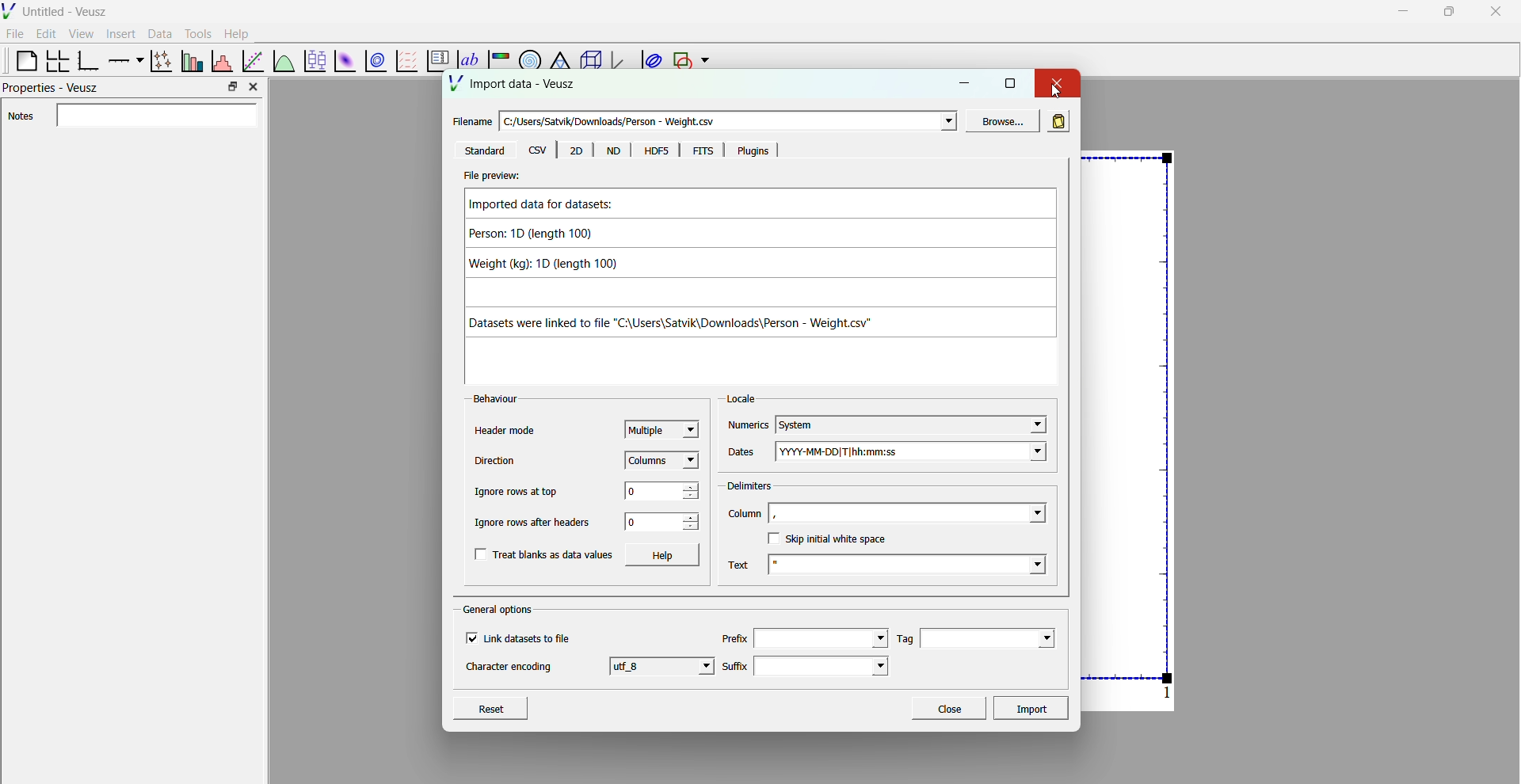  Describe the element at coordinates (681, 61) in the screenshot. I see `add a shape to the plot` at that location.